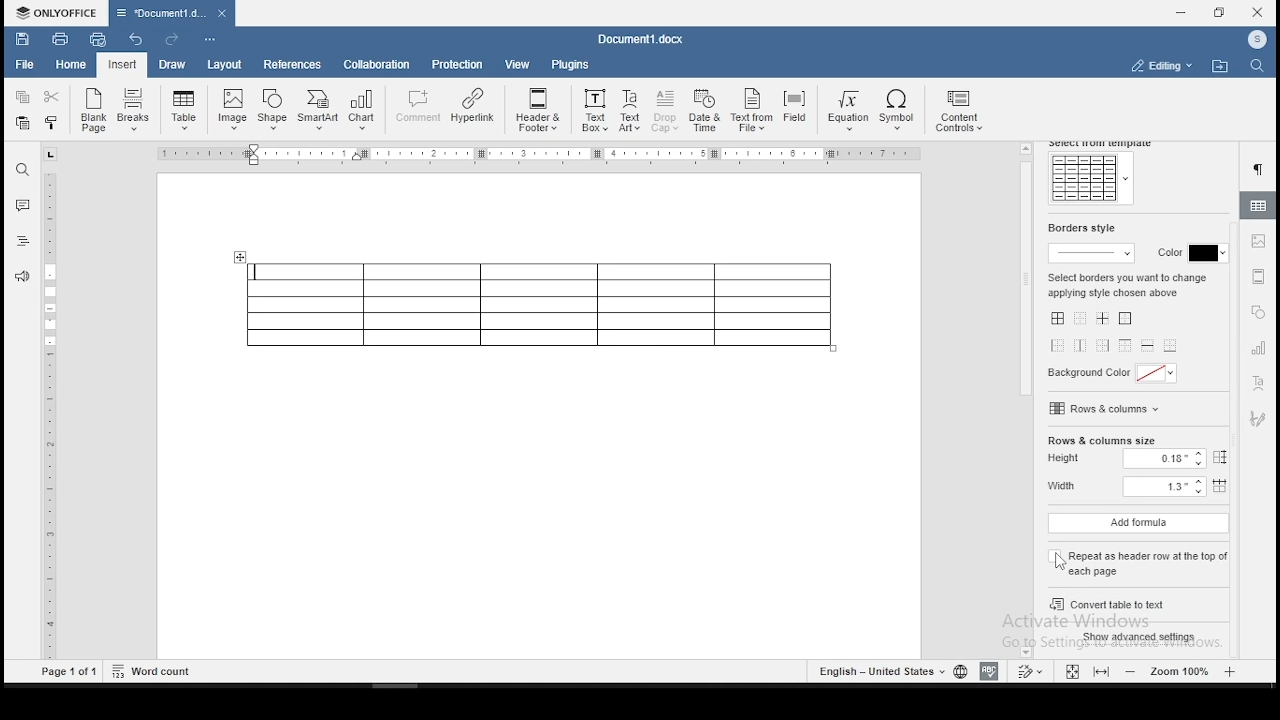  Describe the element at coordinates (91, 112) in the screenshot. I see `blank page` at that location.